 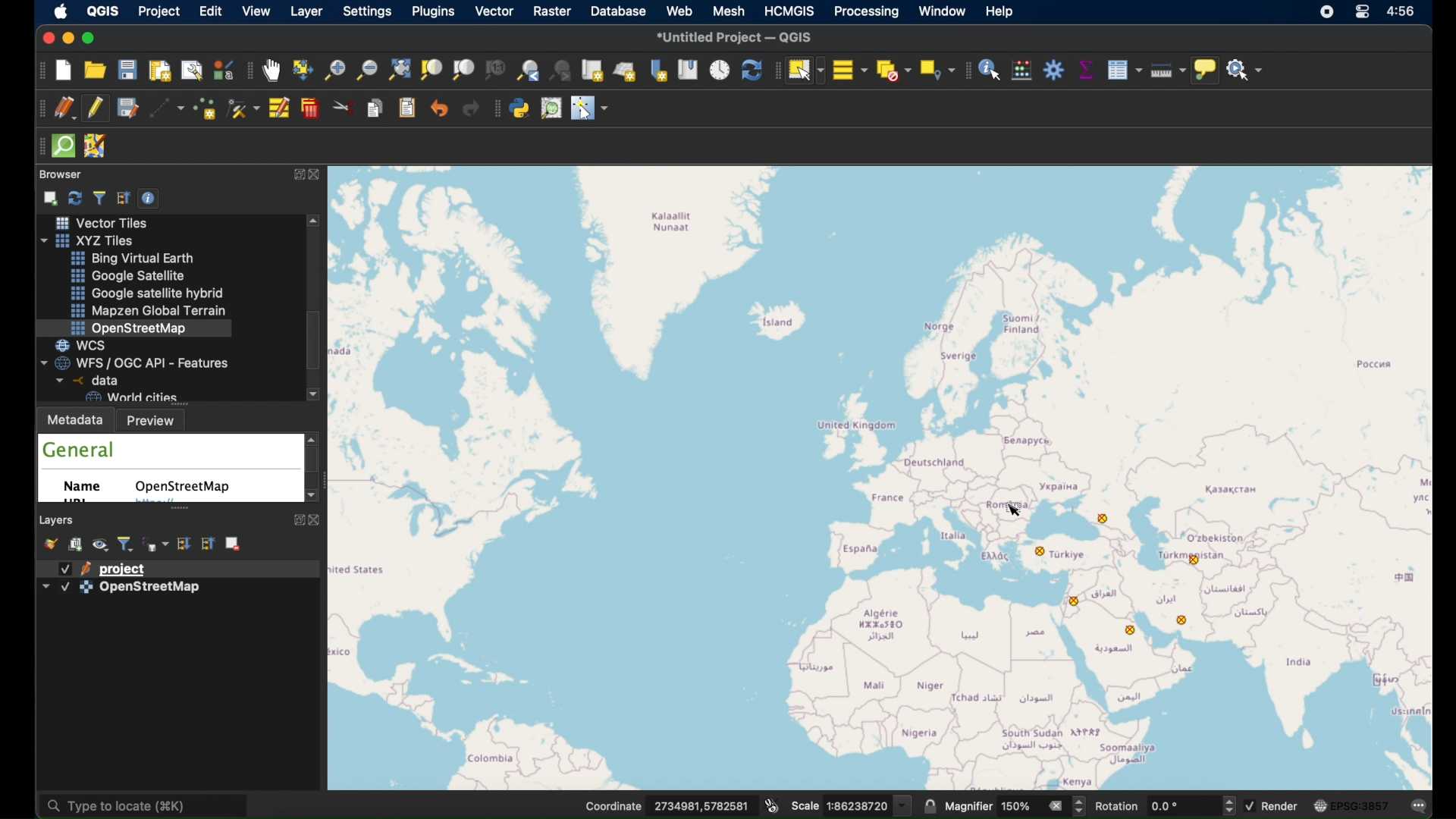 I want to click on point feature, so click(x=1041, y=551).